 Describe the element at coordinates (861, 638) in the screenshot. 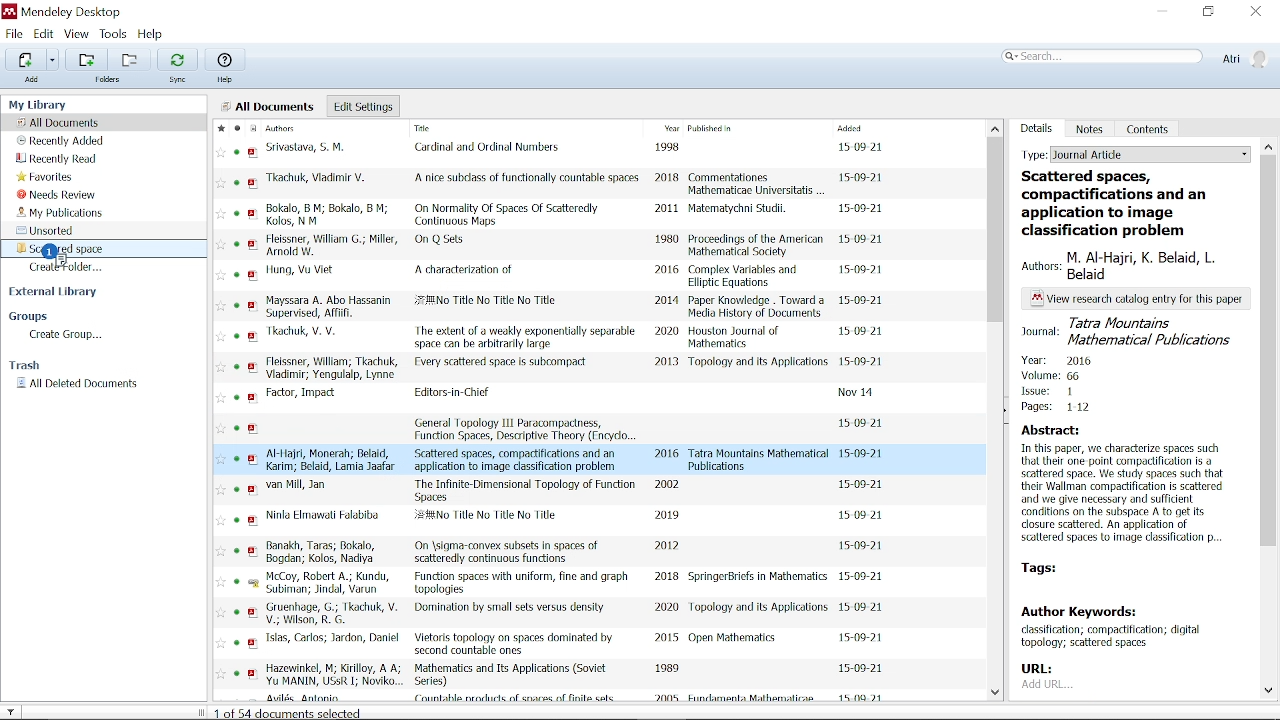

I see `date` at that location.